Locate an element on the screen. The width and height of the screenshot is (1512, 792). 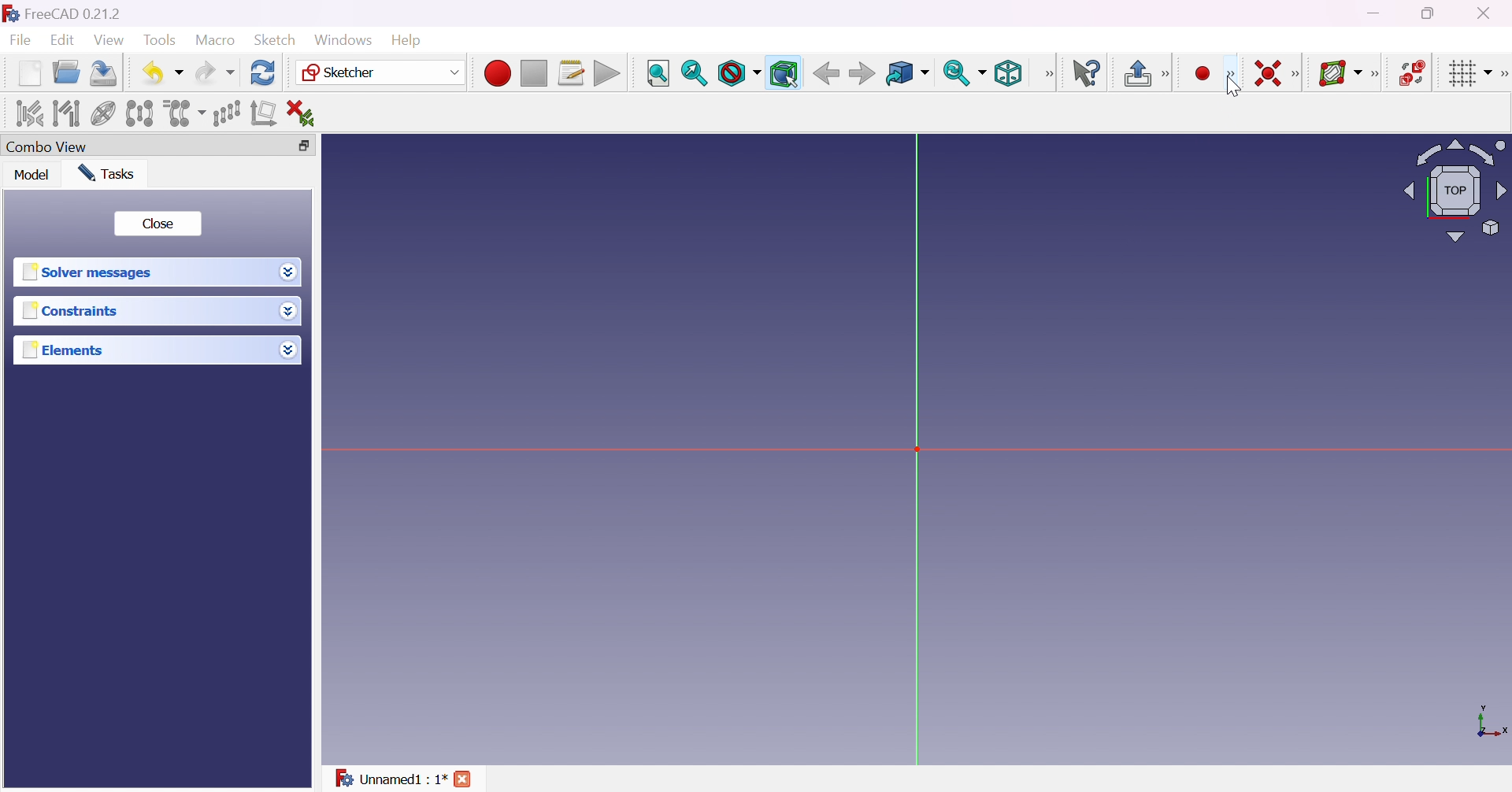
Create point is located at coordinates (1203, 74).